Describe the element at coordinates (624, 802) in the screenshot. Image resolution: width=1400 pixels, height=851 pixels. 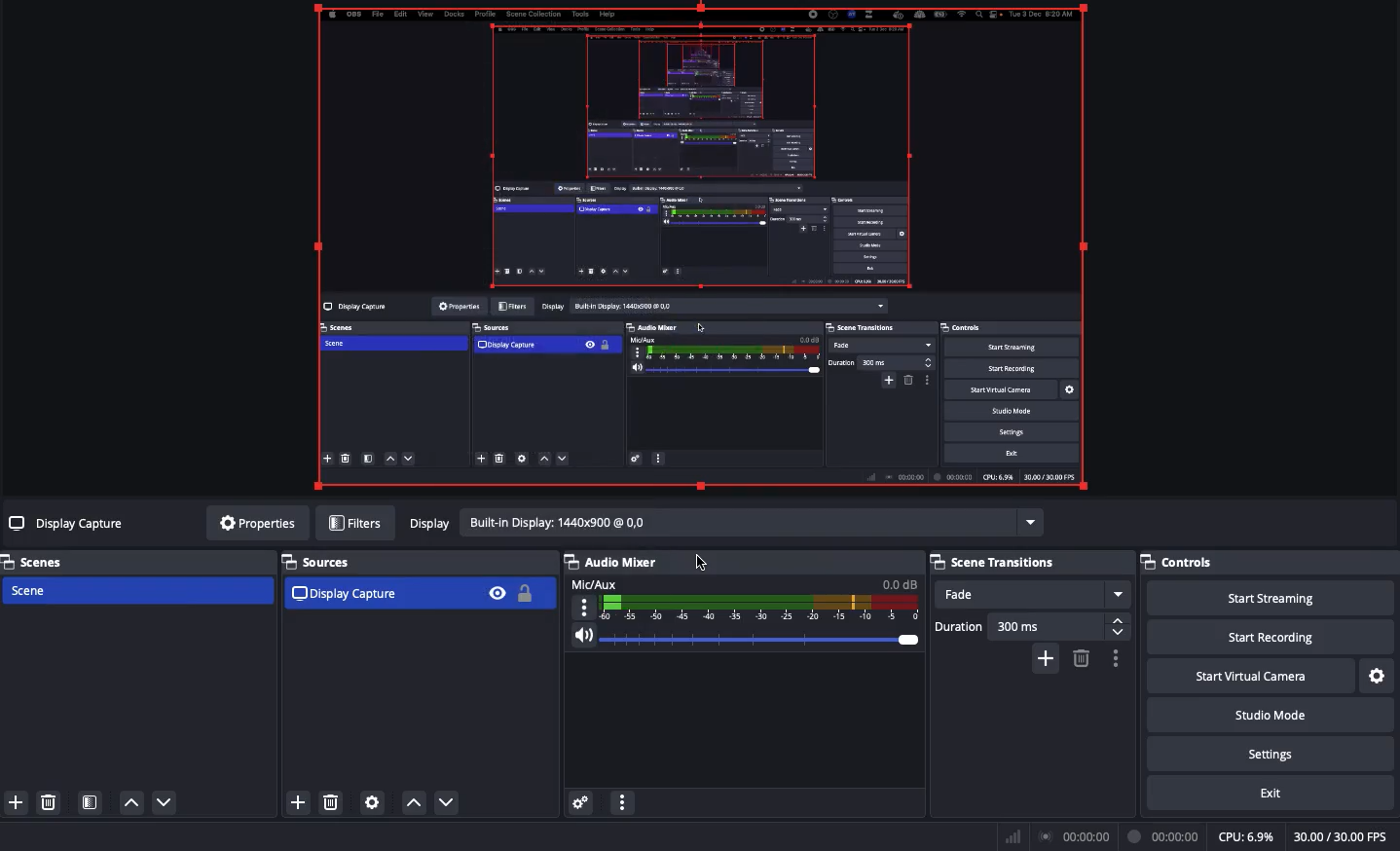
I see `options` at that location.